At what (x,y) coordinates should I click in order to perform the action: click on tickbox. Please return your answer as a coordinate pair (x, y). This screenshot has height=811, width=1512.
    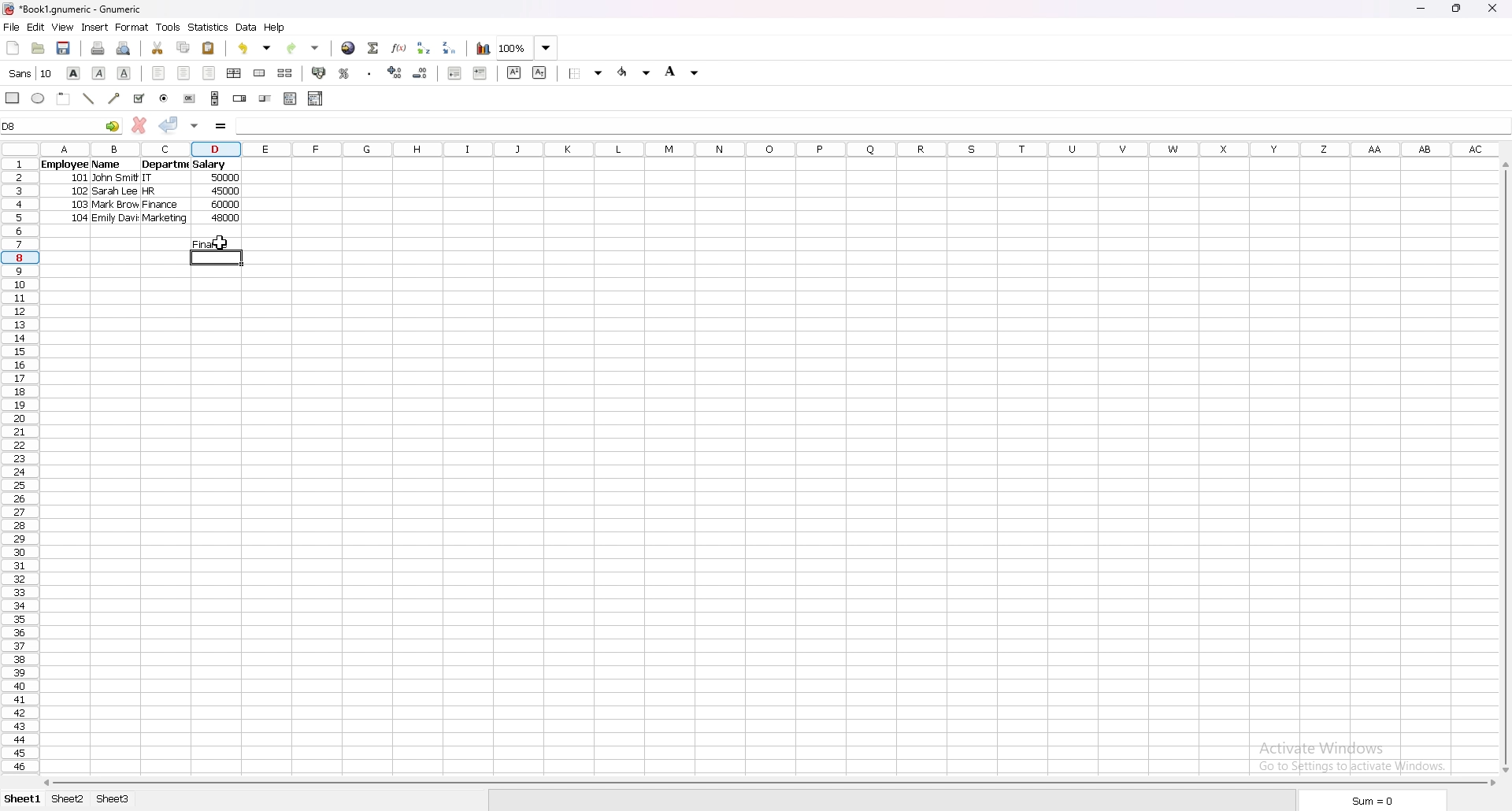
    Looking at the image, I should click on (139, 98).